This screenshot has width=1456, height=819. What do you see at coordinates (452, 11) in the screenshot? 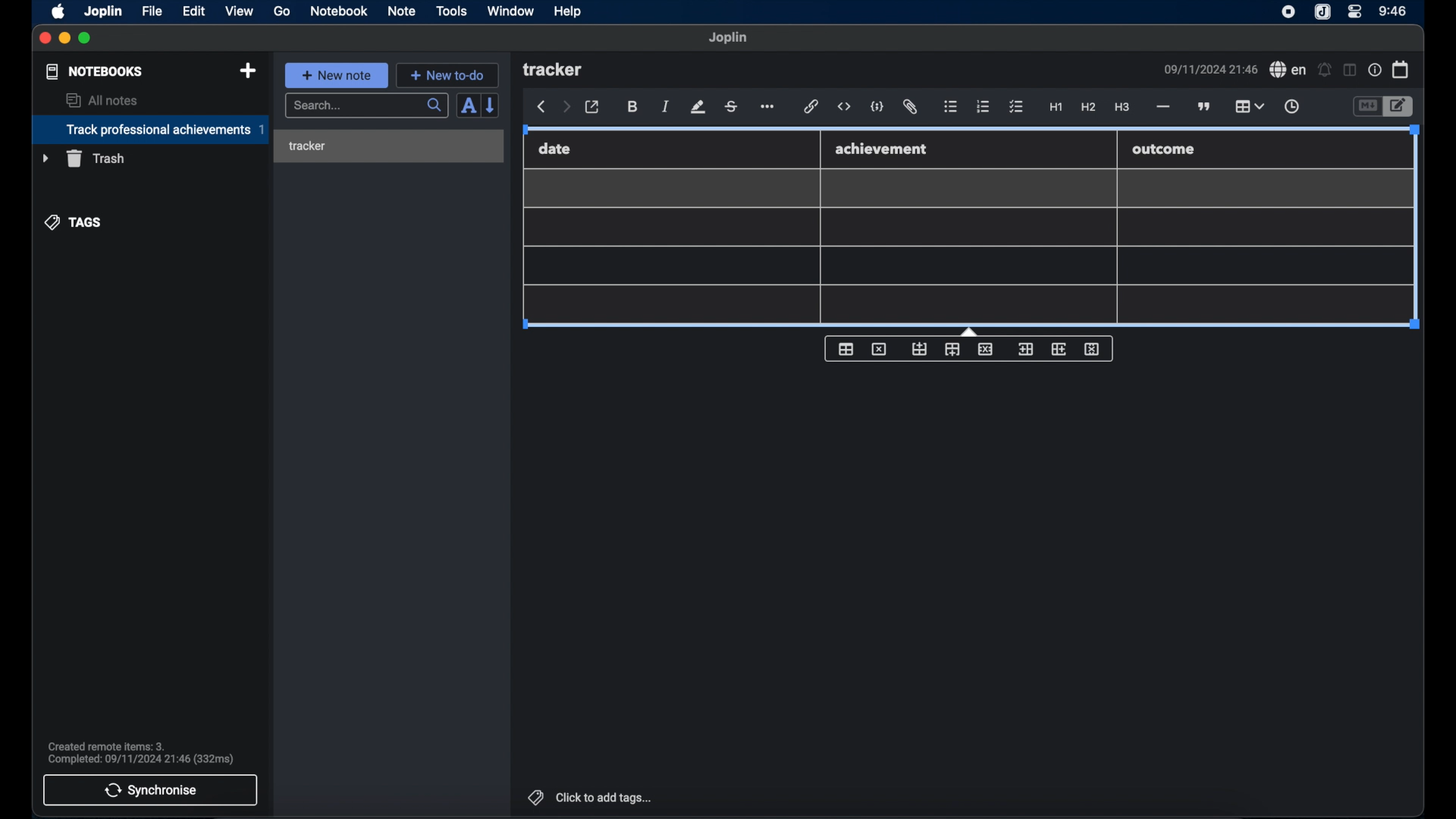
I see `tools` at bounding box center [452, 11].